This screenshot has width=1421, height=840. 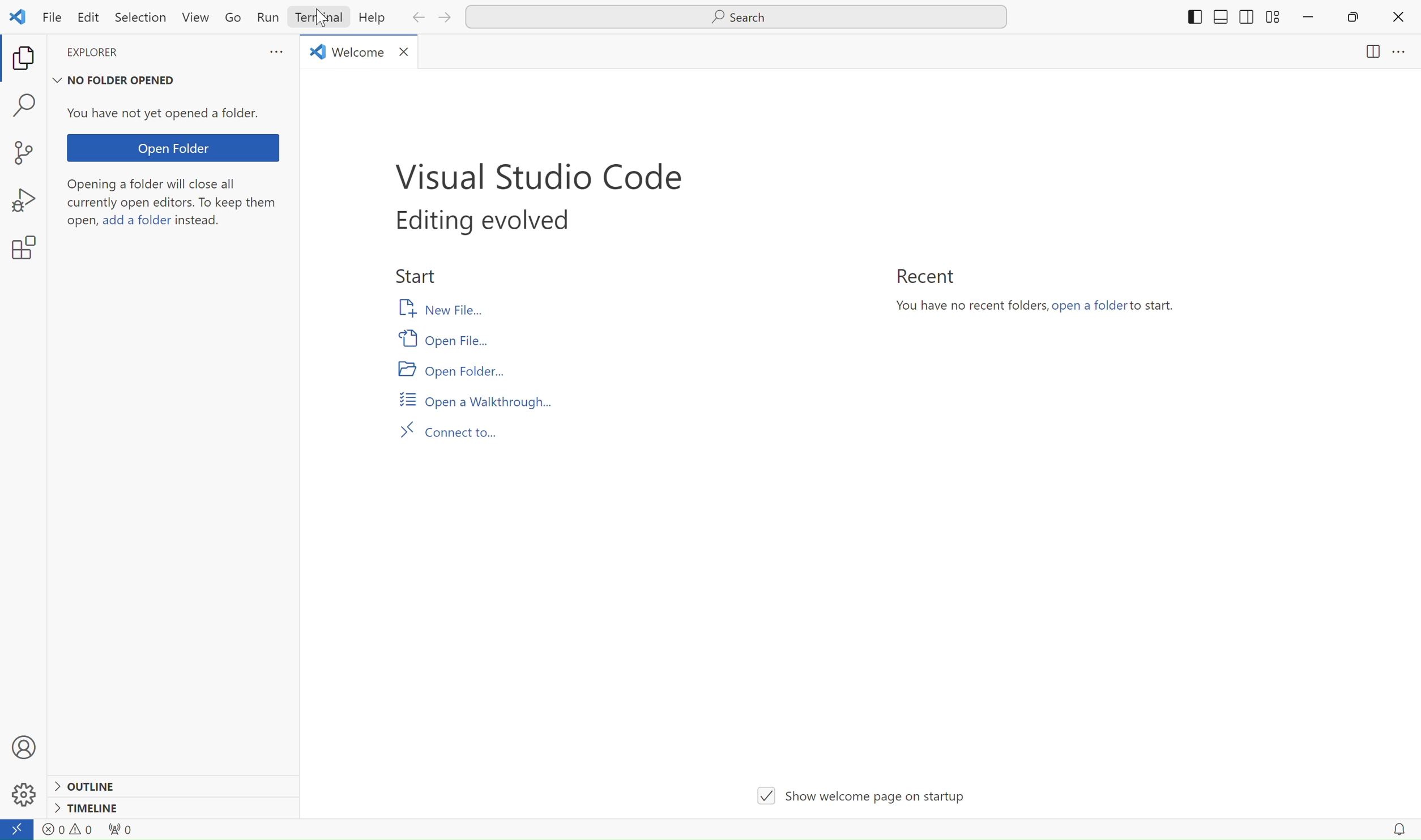 What do you see at coordinates (118, 78) in the screenshot?
I see `no folder opened` at bounding box center [118, 78].